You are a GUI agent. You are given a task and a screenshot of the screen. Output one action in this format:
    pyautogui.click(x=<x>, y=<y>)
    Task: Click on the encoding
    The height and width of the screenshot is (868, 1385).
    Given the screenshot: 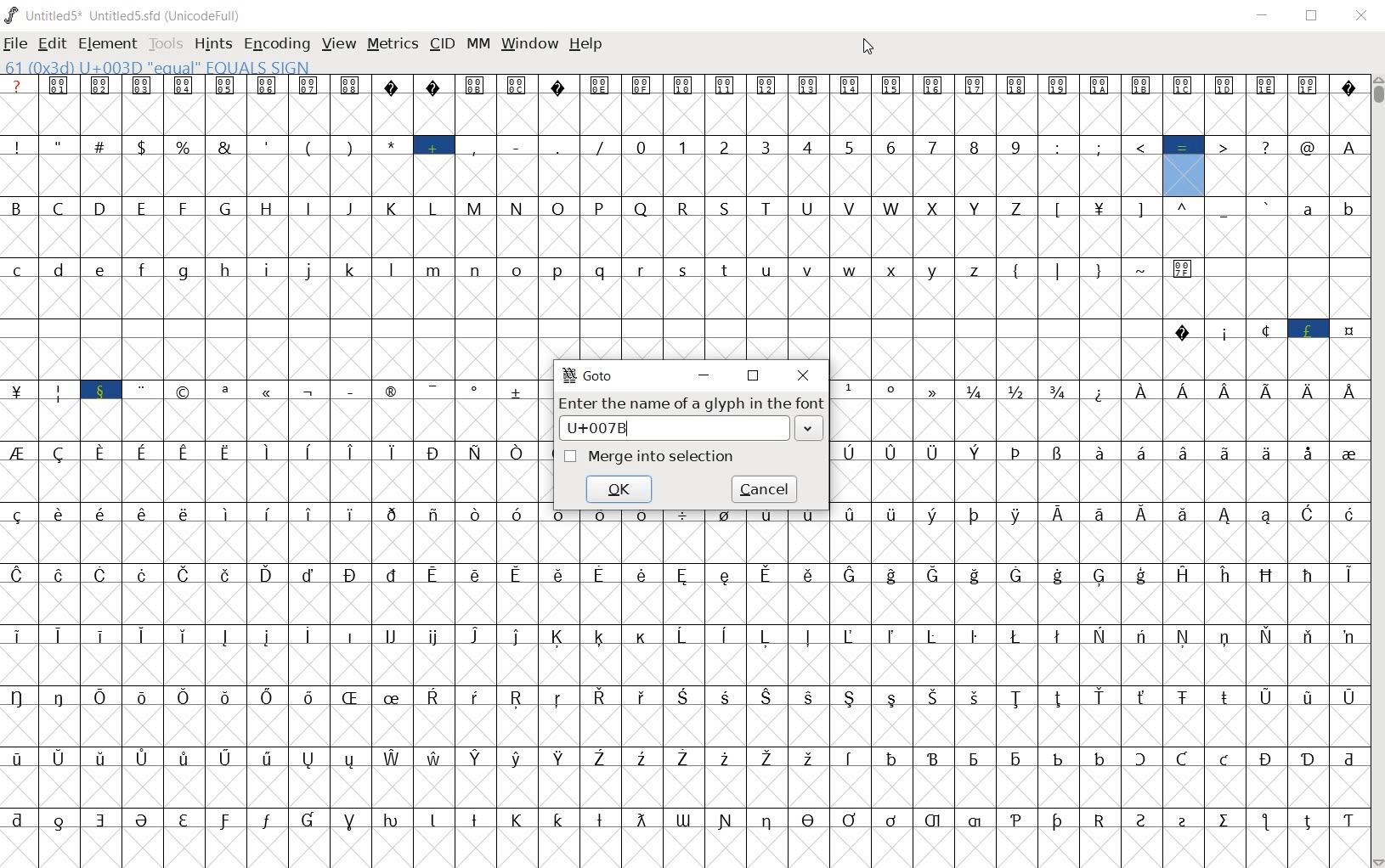 What is the action you would take?
    pyautogui.click(x=276, y=42)
    